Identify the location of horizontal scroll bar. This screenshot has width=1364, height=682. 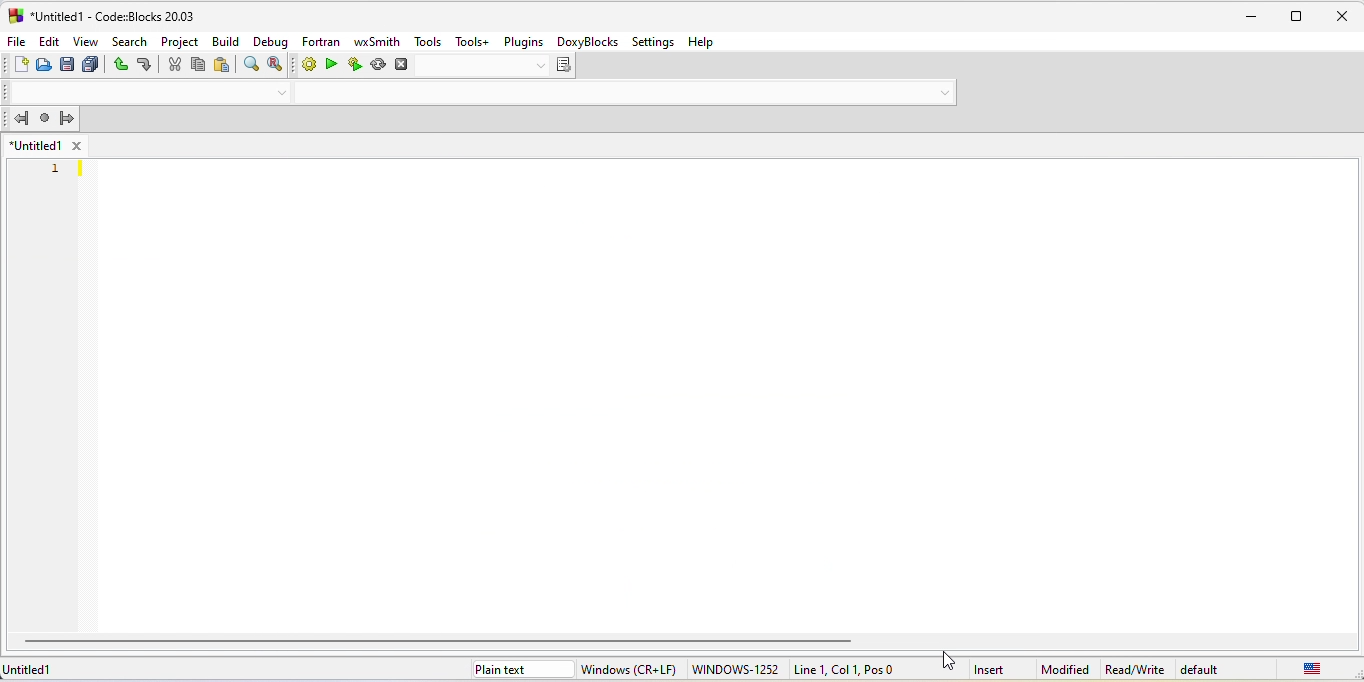
(441, 640).